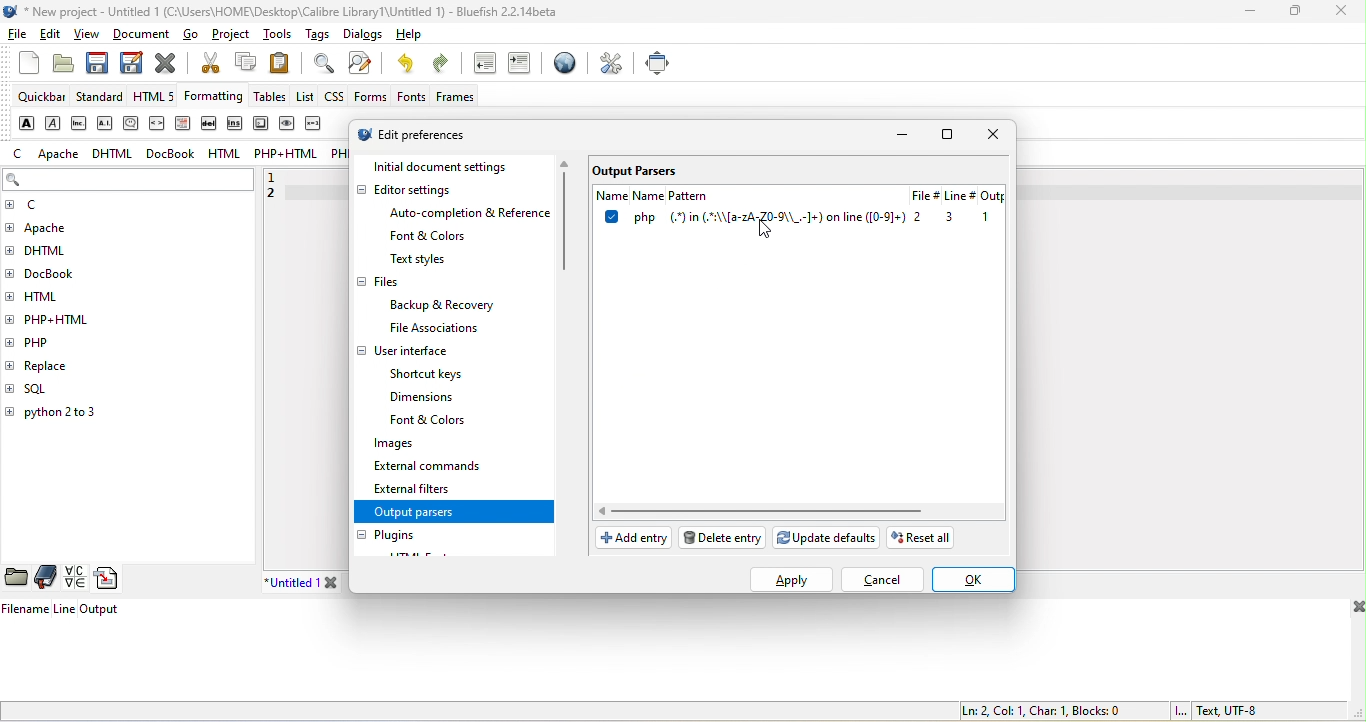 This screenshot has height=722, width=1366. I want to click on replace, so click(79, 363).